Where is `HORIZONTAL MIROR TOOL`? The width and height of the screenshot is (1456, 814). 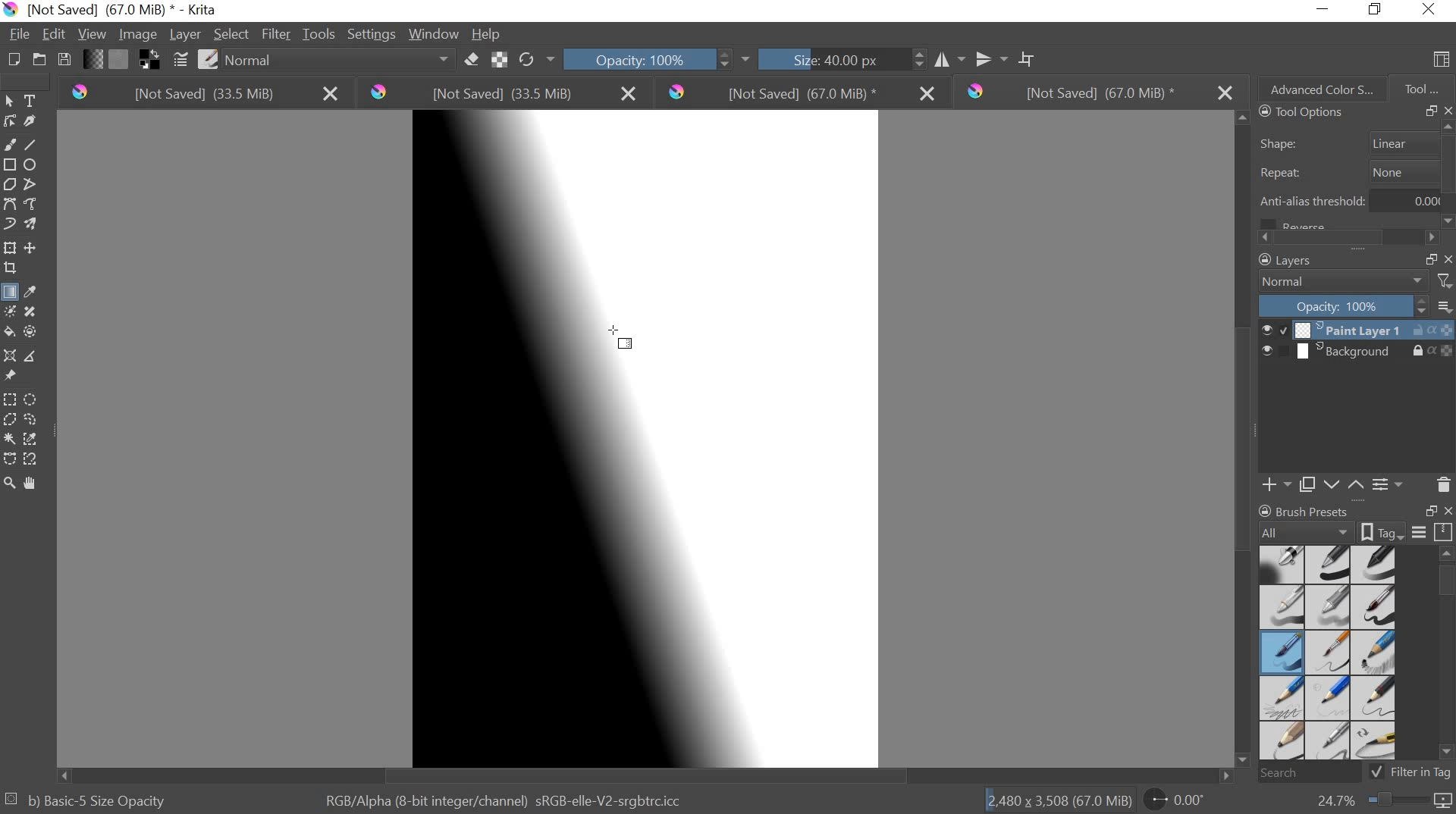
HORIZONTAL MIROR TOOL is located at coordinates (927, 57).